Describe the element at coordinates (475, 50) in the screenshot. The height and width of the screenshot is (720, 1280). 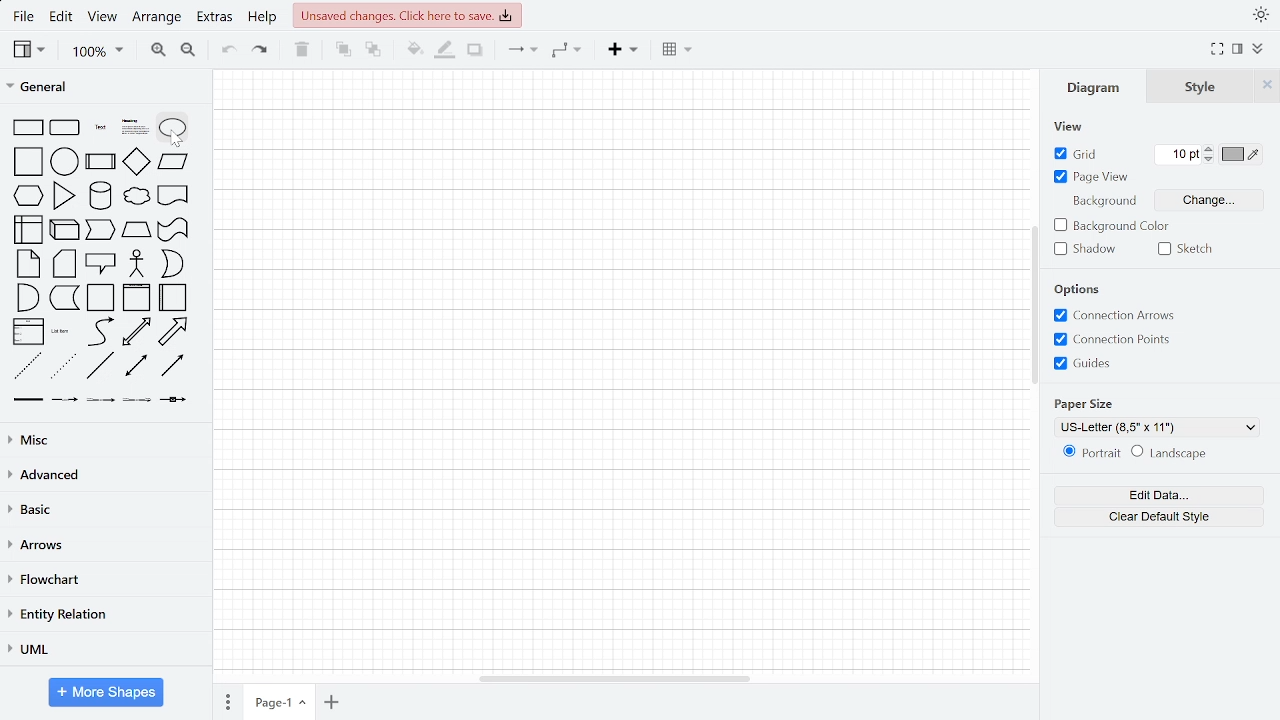
I see `shadow` at that location.